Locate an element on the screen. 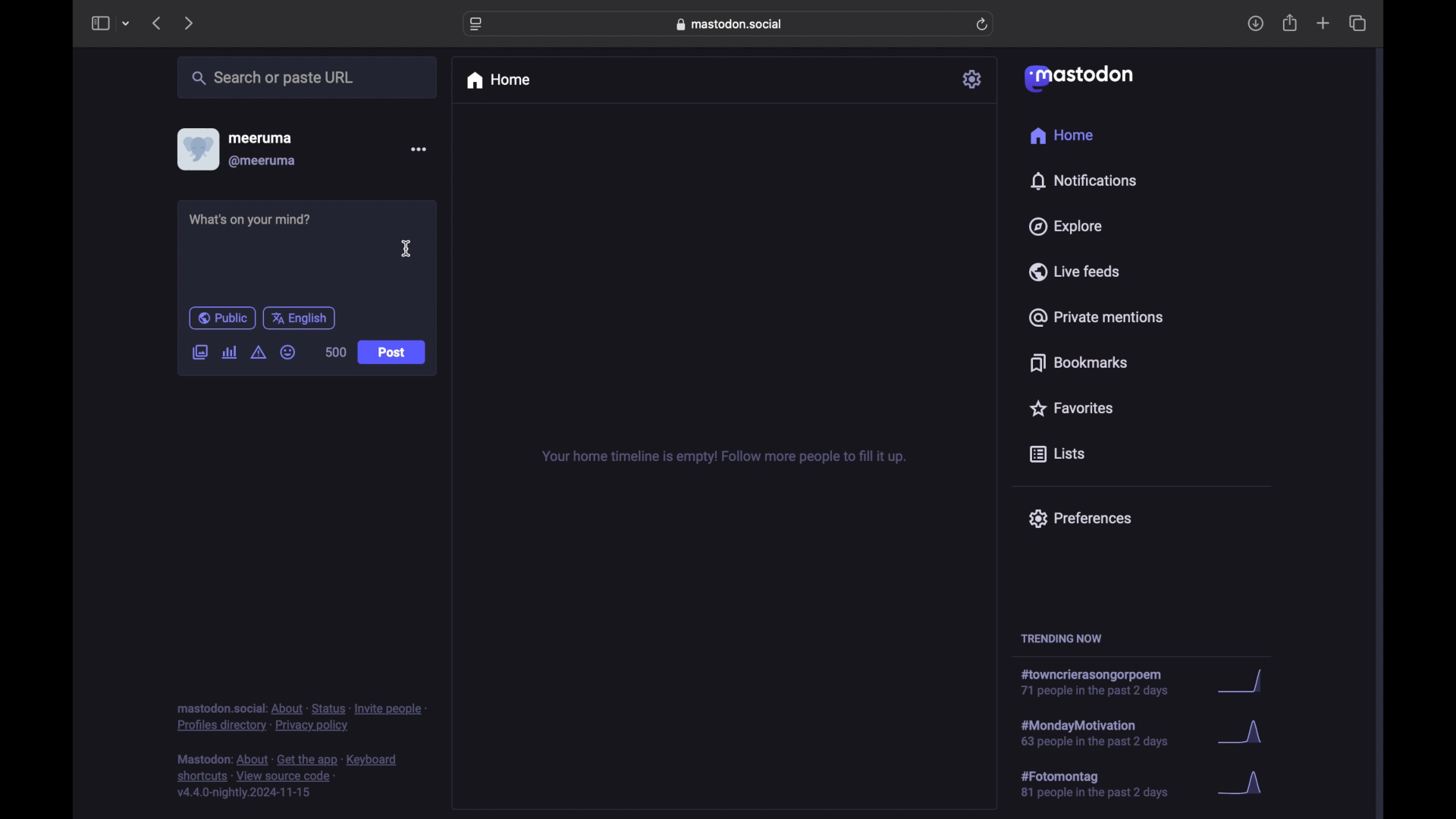 The width and height of the screenshot is (1456, 819). hashtag trend is located at coordinates (1100, 682).